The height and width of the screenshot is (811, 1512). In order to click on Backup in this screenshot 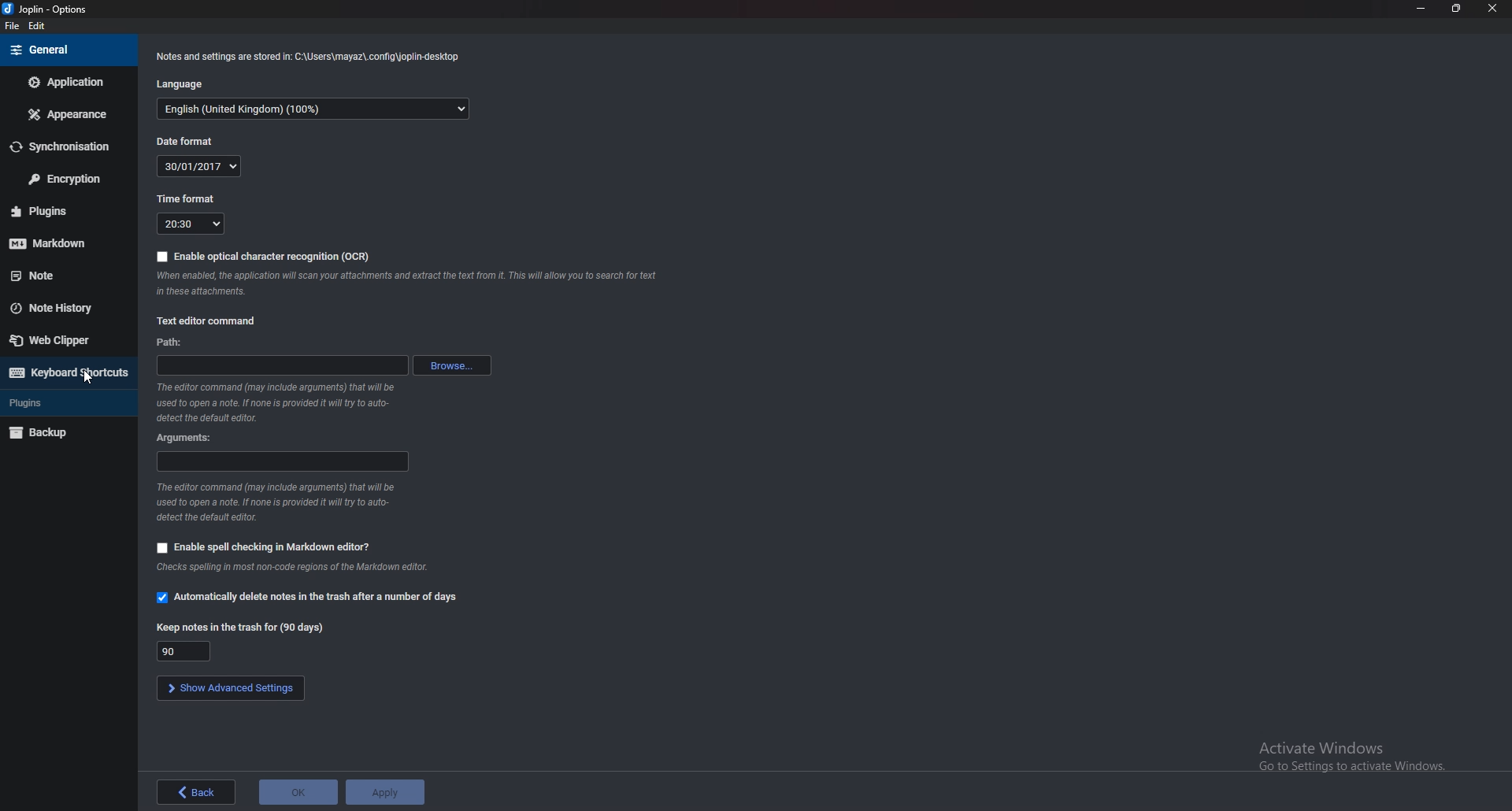, I will do `click(65, 431)`.